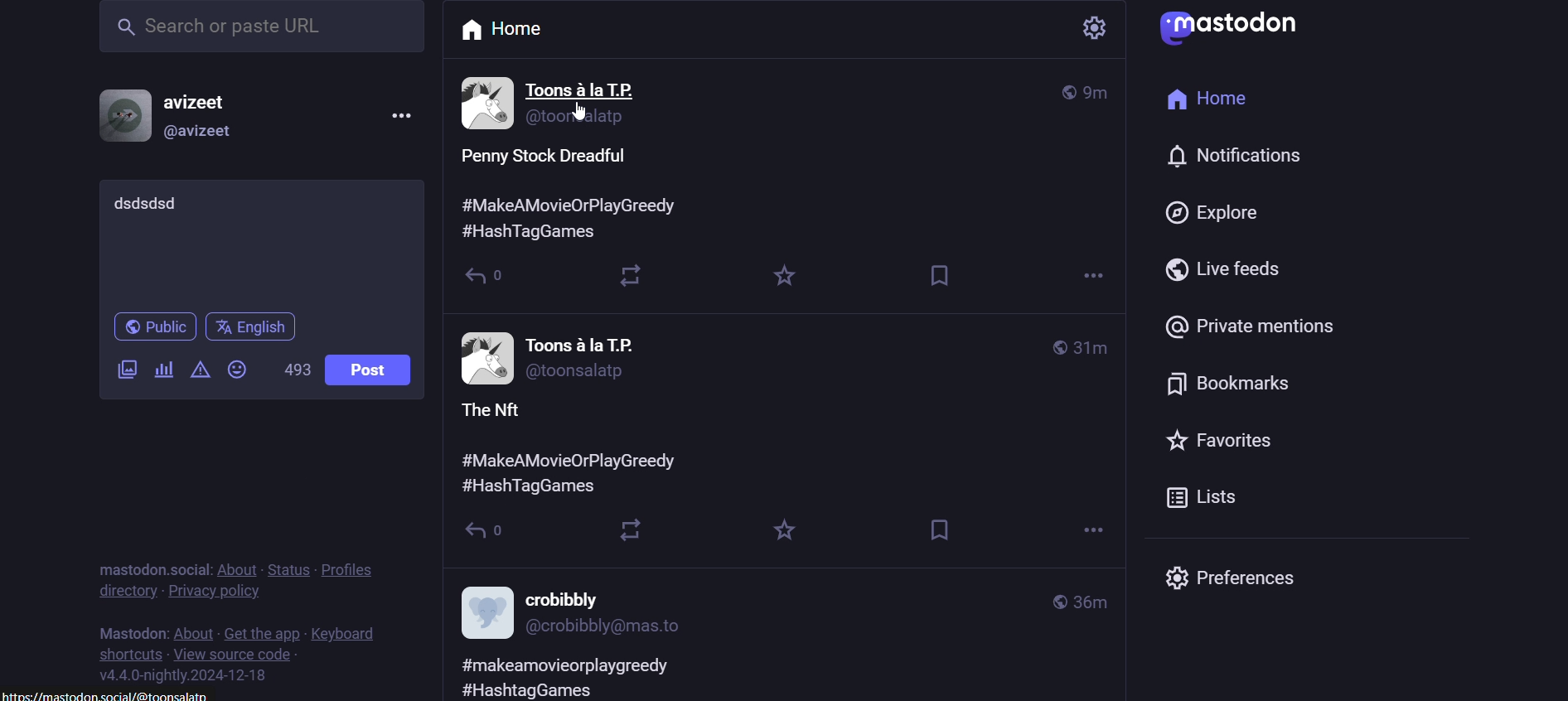 The image size is (1568, 701). Describe the element at coordinates (150, 559) in the screenshot. I see `text` at that location.